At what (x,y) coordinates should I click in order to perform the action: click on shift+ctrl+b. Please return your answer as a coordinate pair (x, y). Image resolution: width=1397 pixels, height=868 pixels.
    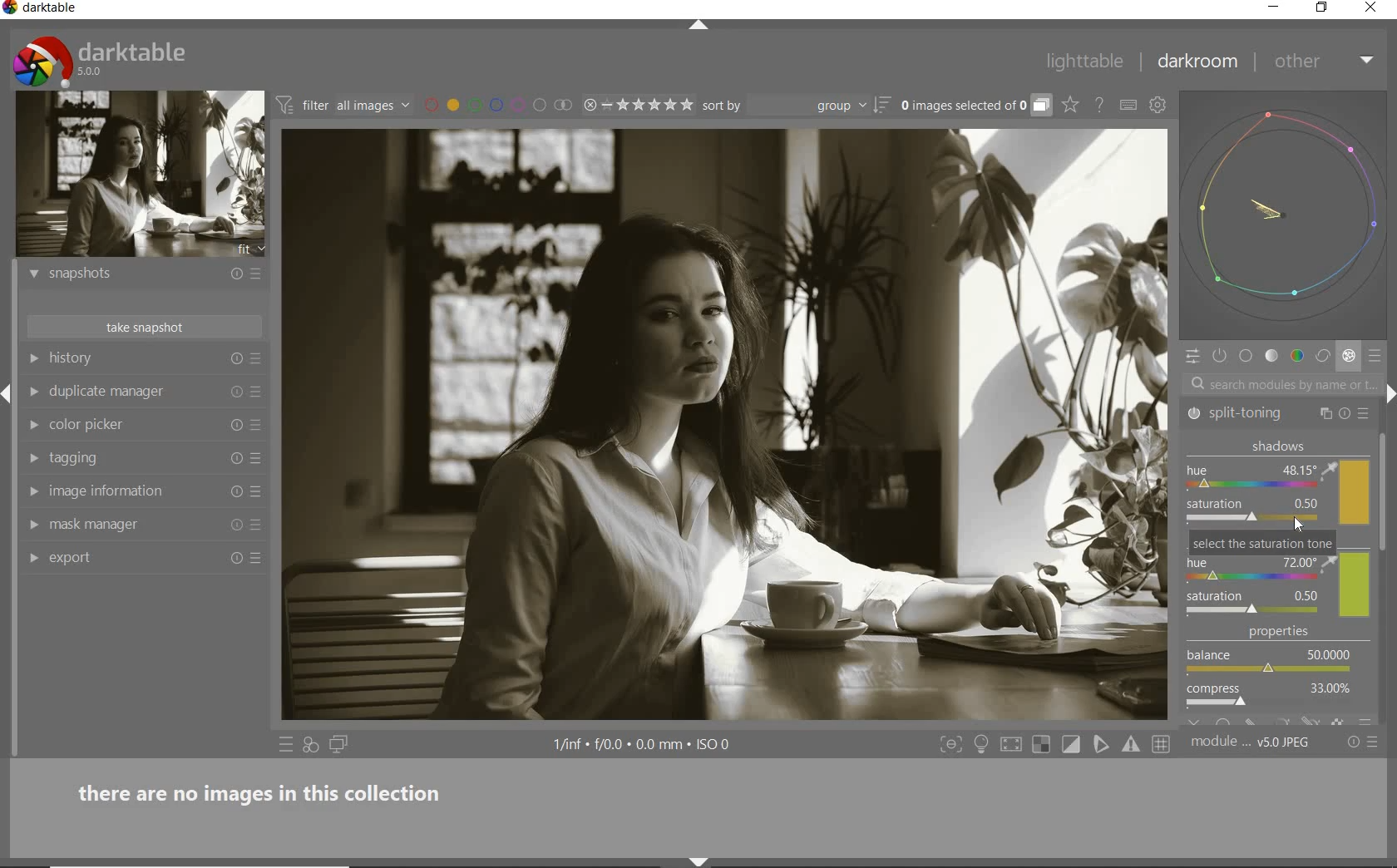
    Looking at the image, I should click on (700, 860).